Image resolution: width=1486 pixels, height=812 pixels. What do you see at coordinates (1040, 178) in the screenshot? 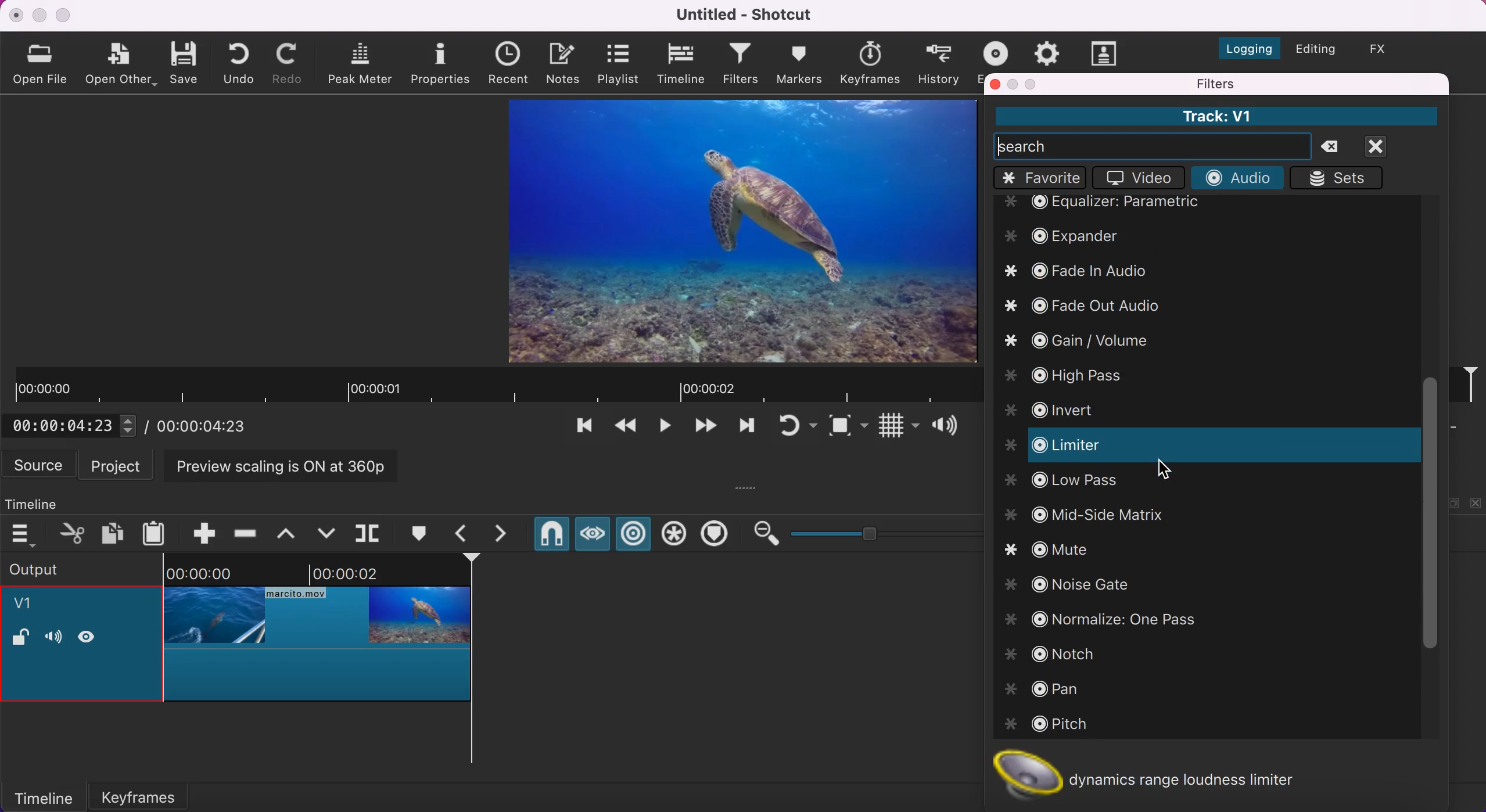
I see `favorite` at bounding box center [1040, 178].